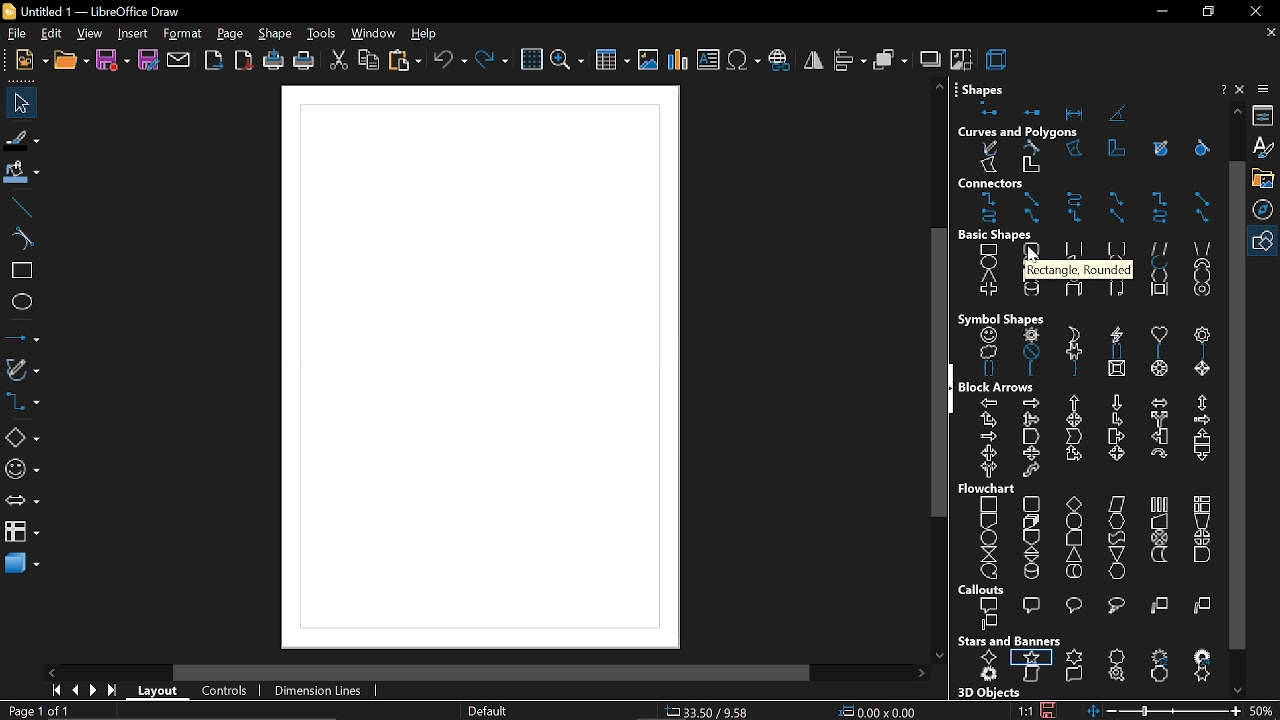 This screenshot has height=720, width=1280. I want to click on attach, so click(180, 61).